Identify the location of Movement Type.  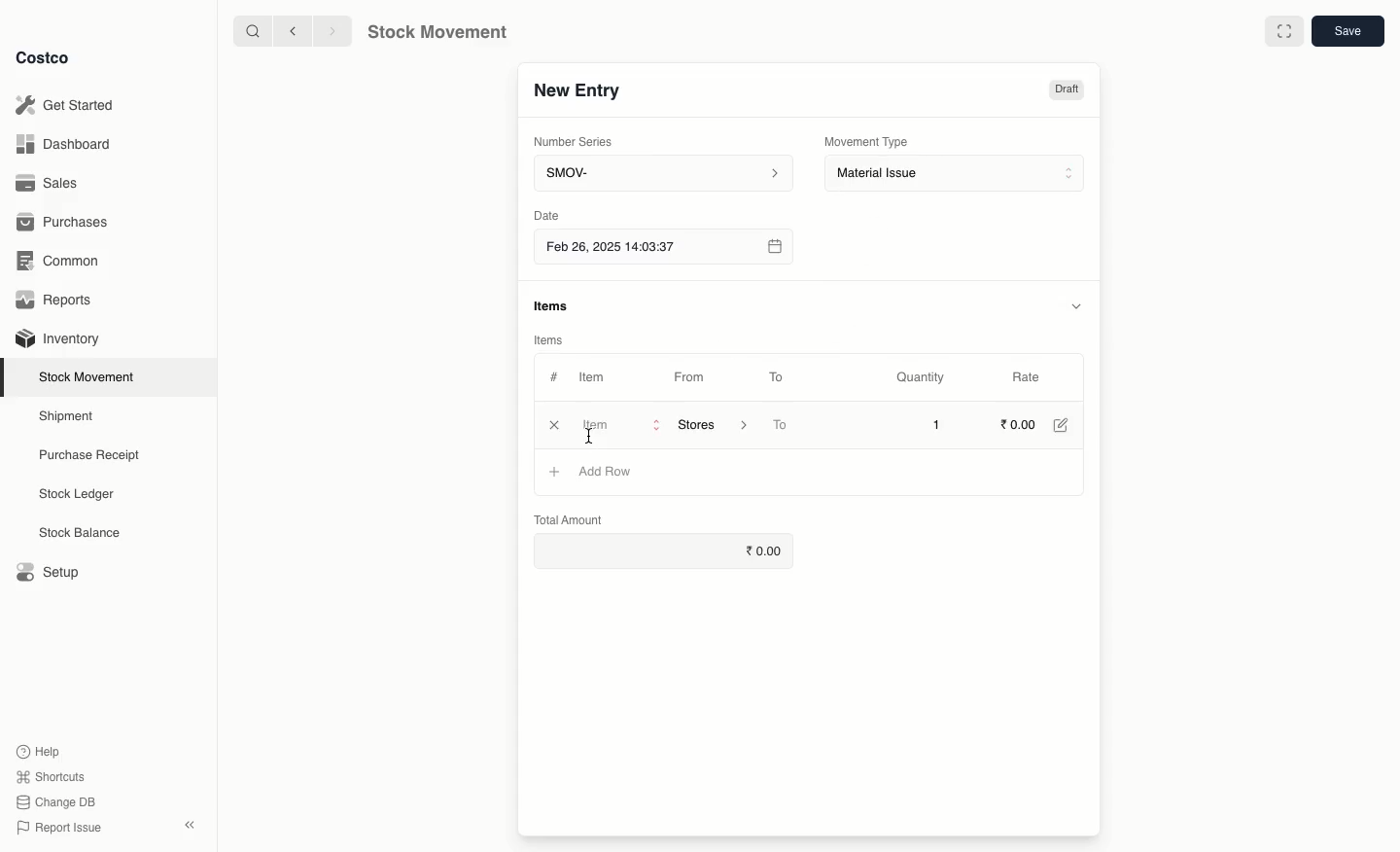
(867, 141).